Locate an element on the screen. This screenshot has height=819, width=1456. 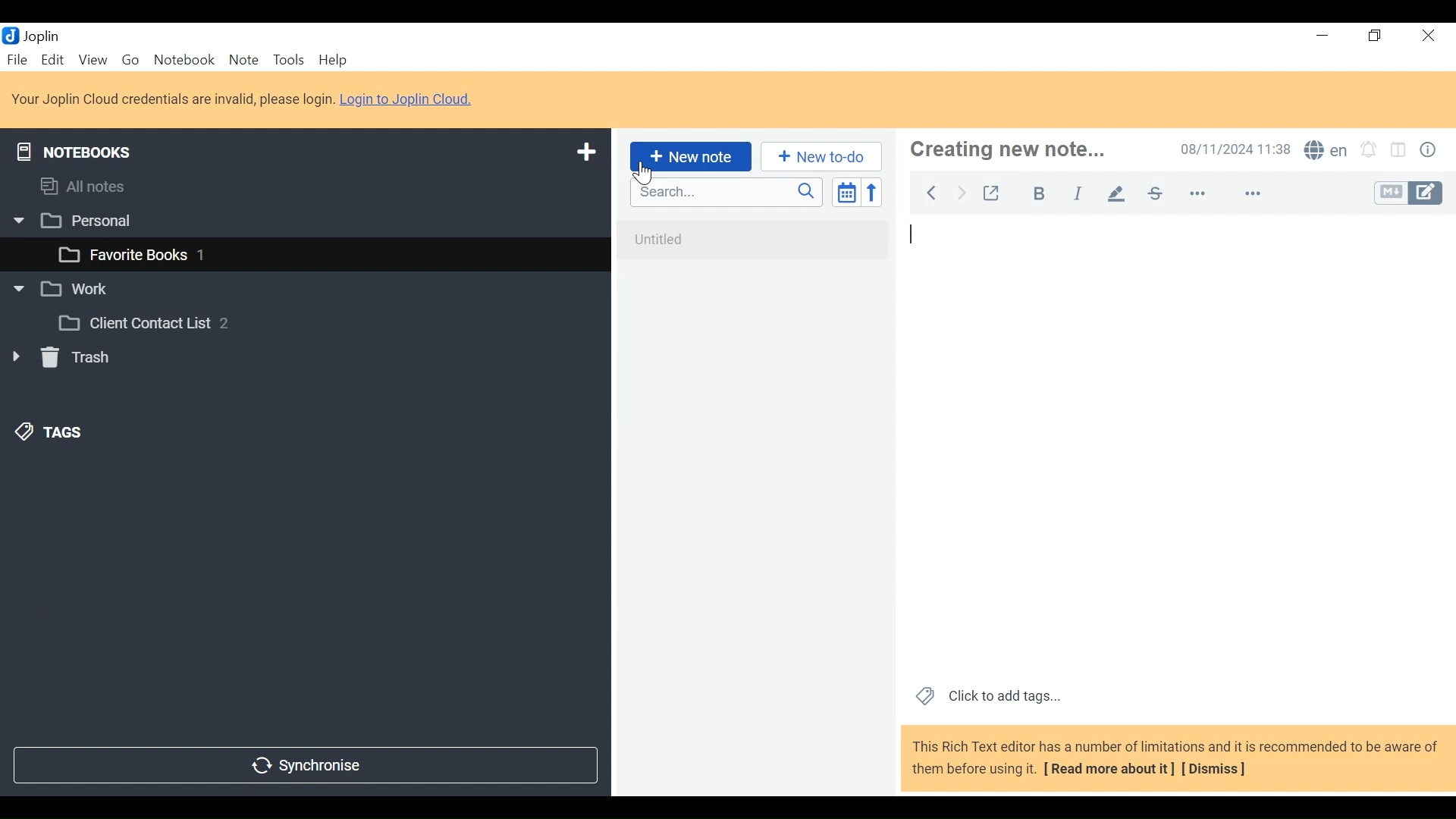
Reverse sort order is located at coordinates (872, 193).